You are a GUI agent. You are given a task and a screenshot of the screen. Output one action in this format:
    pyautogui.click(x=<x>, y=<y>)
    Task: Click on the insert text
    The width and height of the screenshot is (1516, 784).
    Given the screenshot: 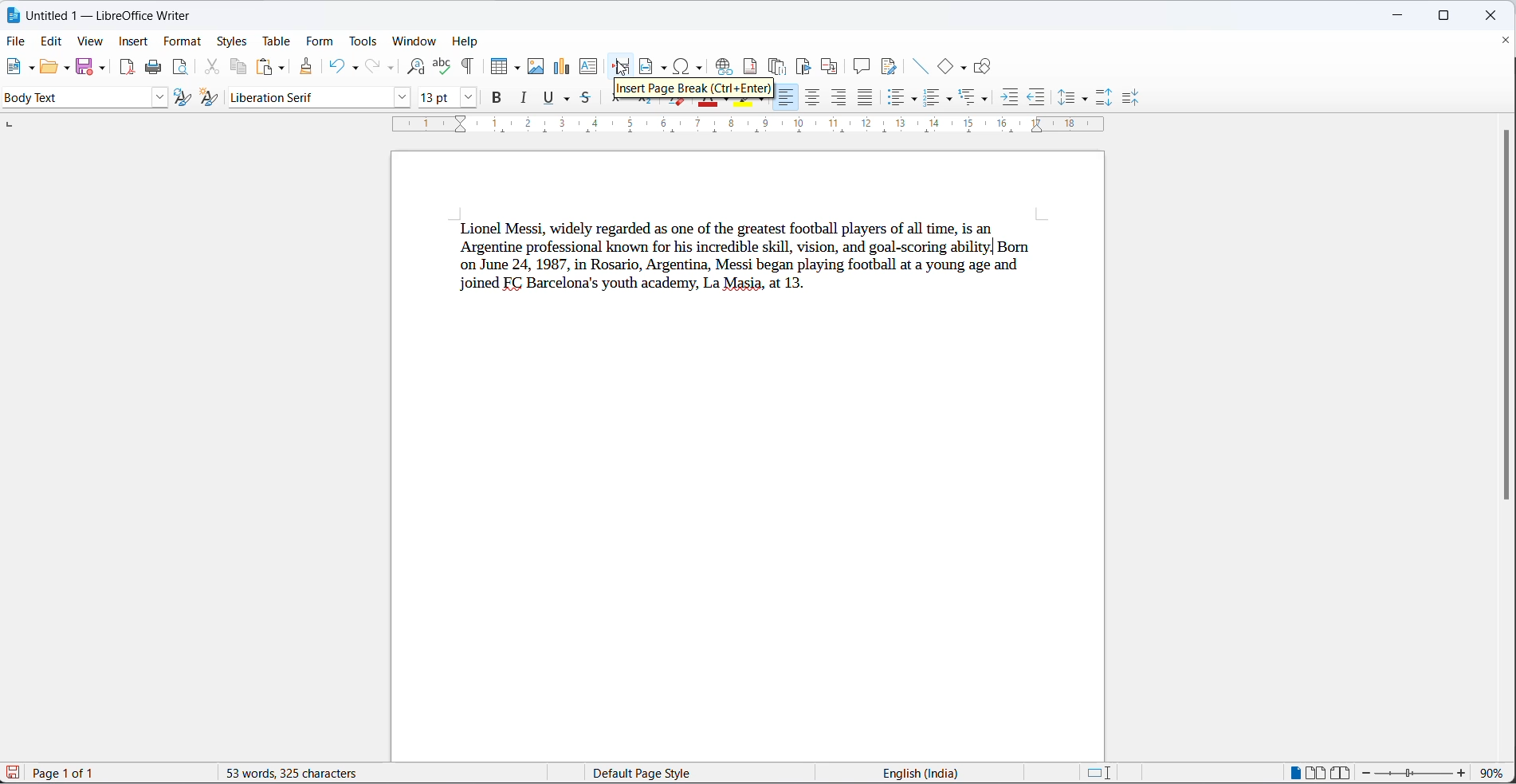 What is the action you would take?
    pyautogui.click(x=589, y=68)
    